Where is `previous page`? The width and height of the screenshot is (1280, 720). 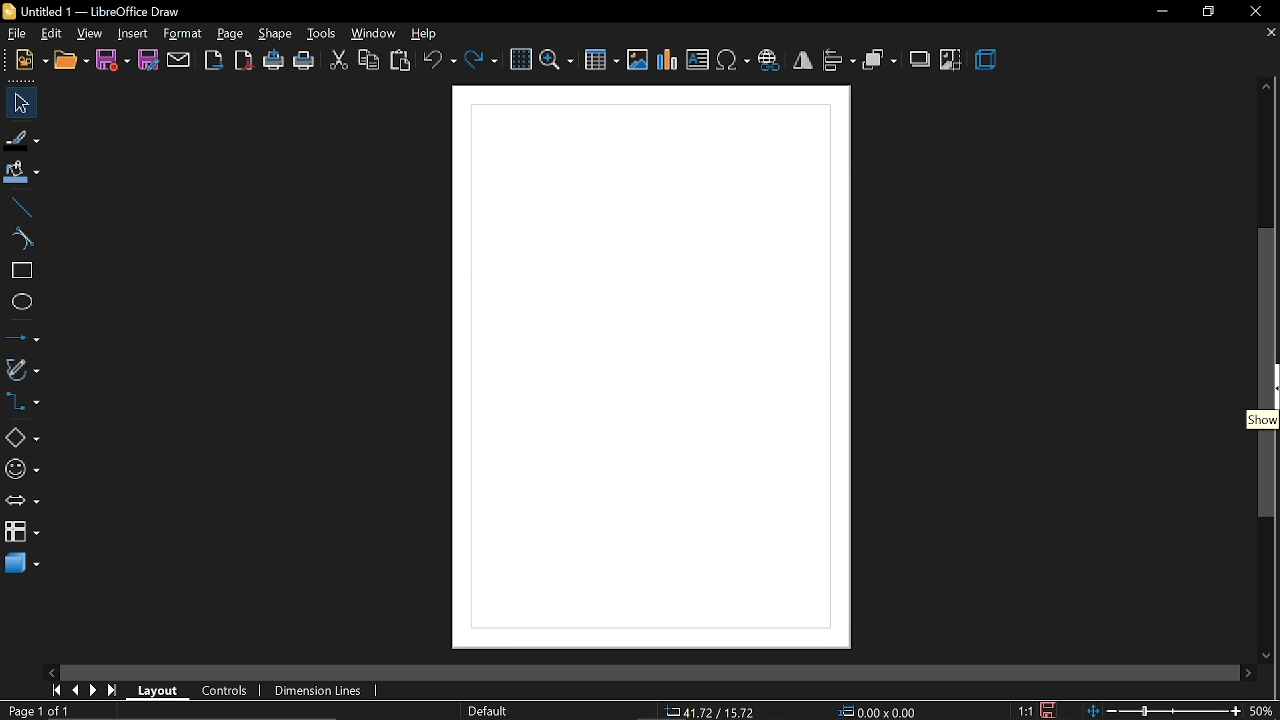 previous page is located at coordinates (75, 691).